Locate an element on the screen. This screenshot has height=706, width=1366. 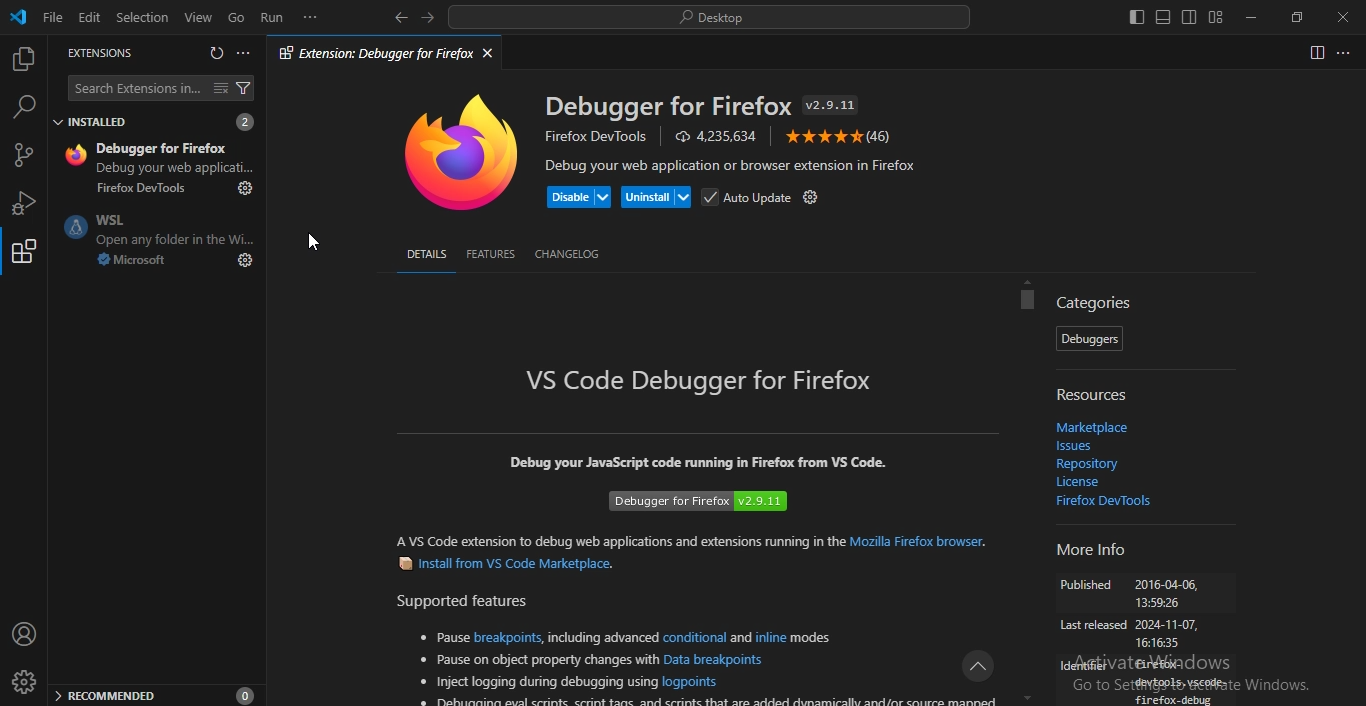
file is located at coordinates (52, 17).